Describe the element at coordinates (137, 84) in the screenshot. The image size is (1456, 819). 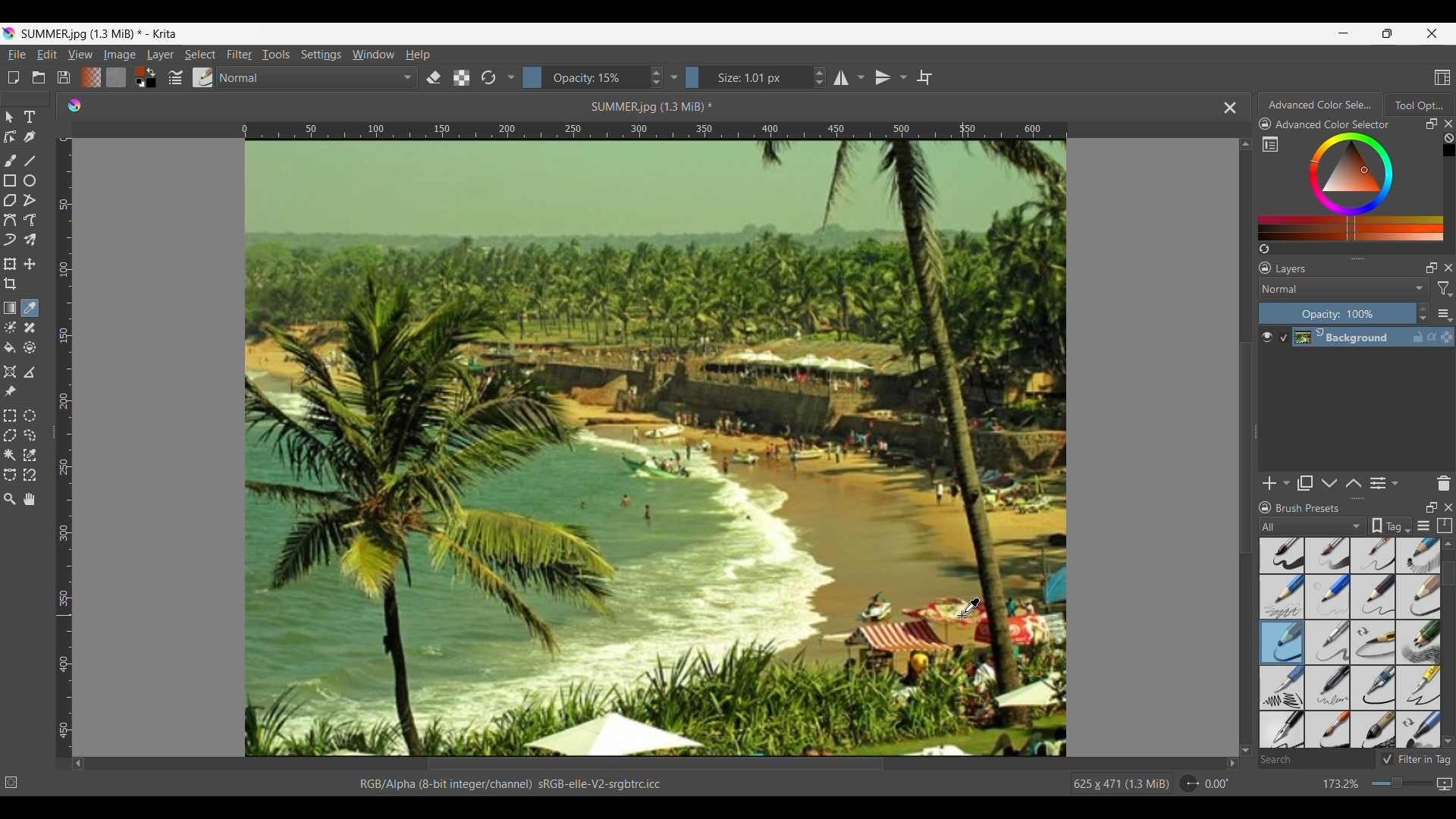
I see `Set foreground and background colors to black and white respectively` at that location.